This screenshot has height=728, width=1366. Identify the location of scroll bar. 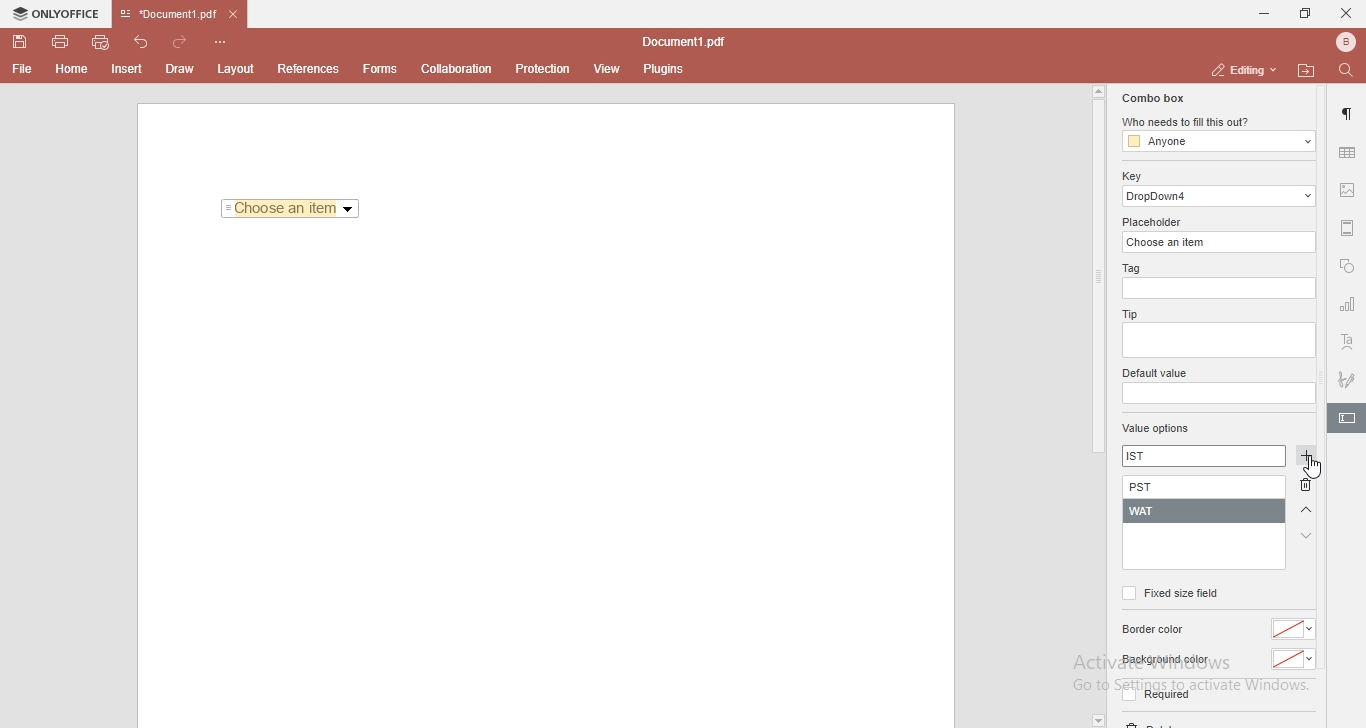
(1097, 270).